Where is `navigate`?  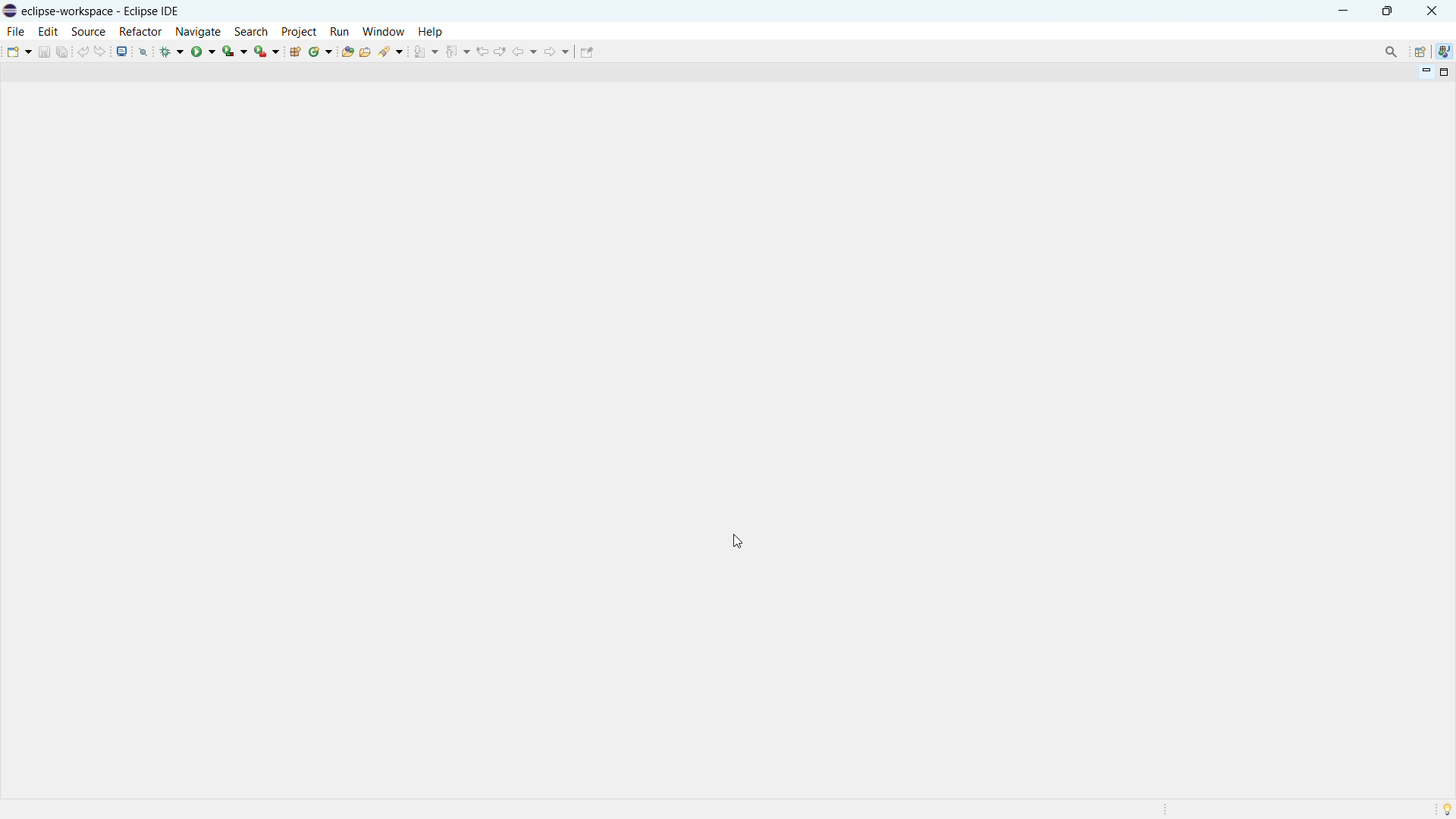 navigate is located at coordinates (198, 31).